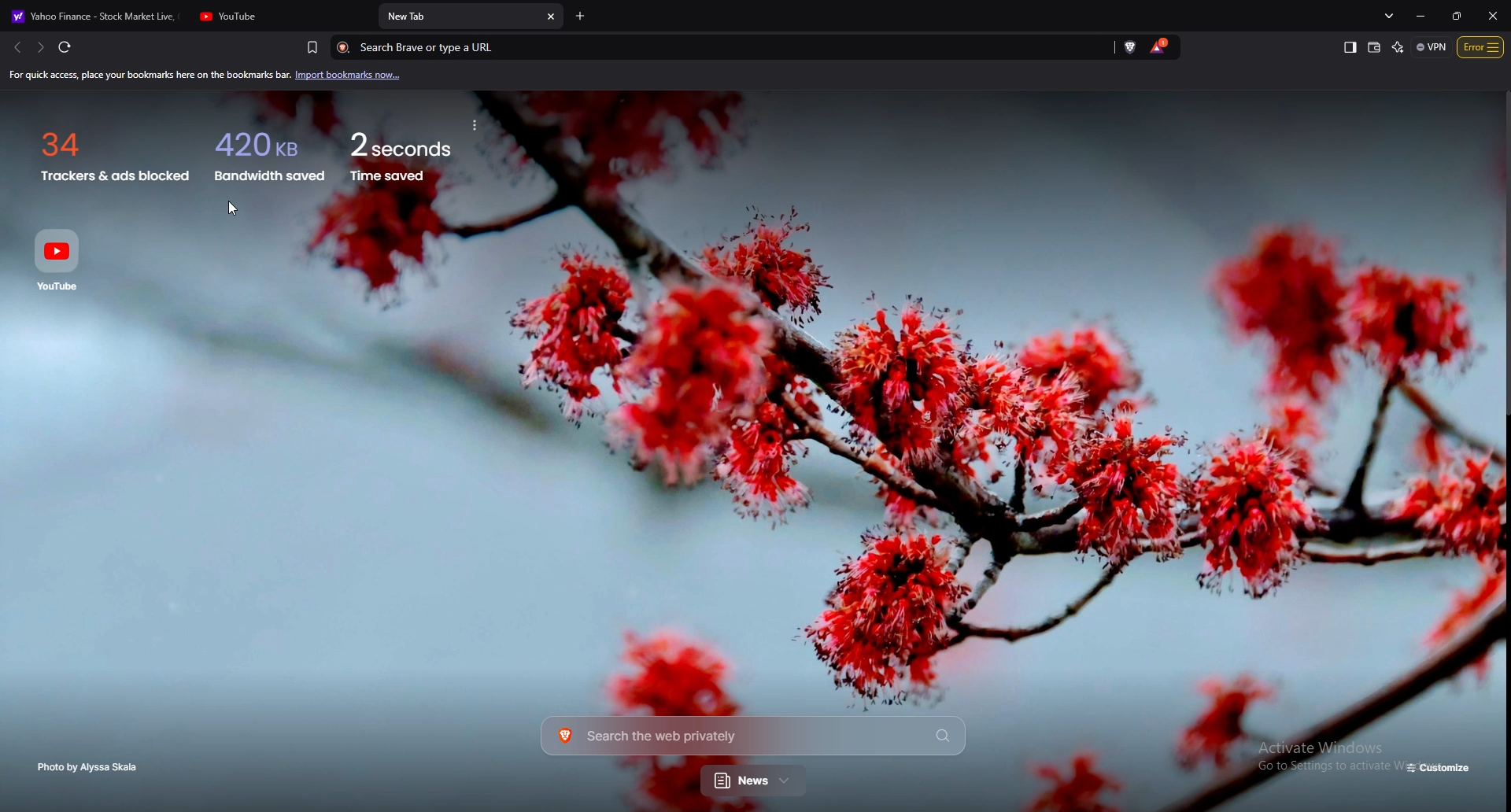 The image size is (1511, 812). I want to click on show sidebar, so click(1350, 48).